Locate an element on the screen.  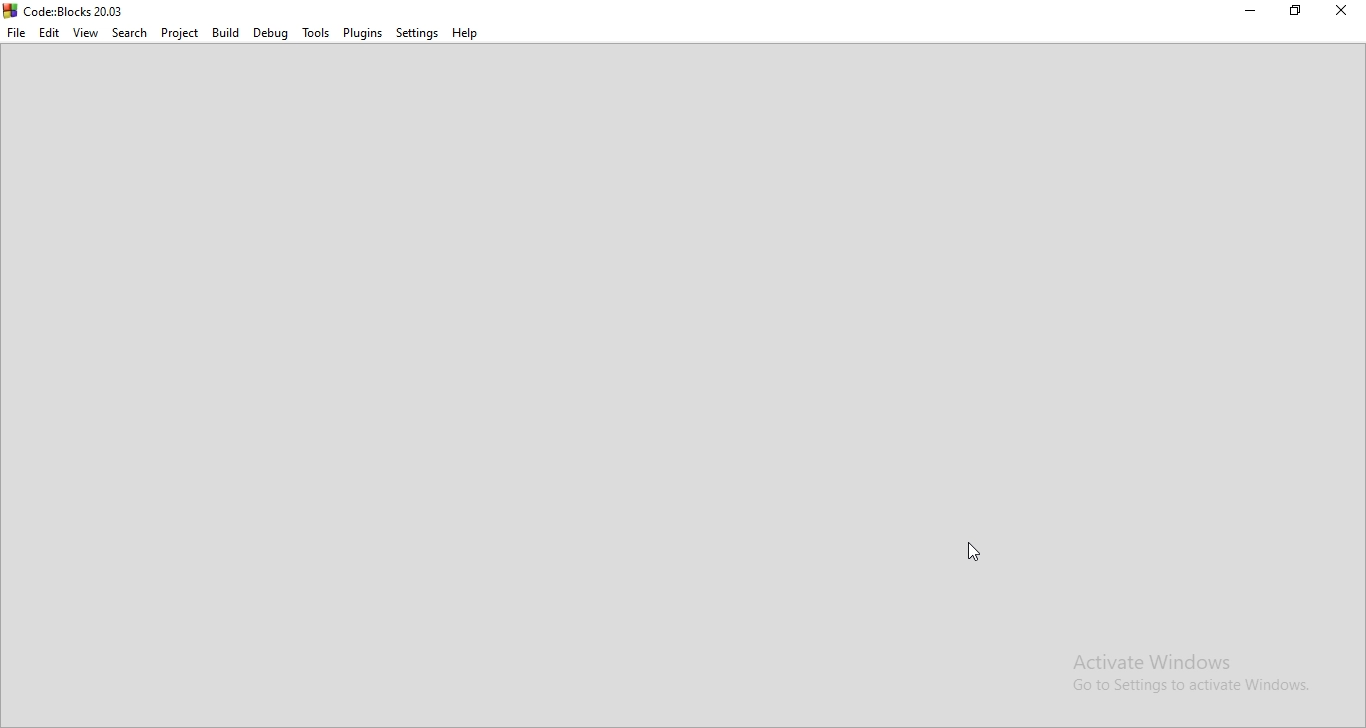
Settings  is located at coordinates (416, 34).